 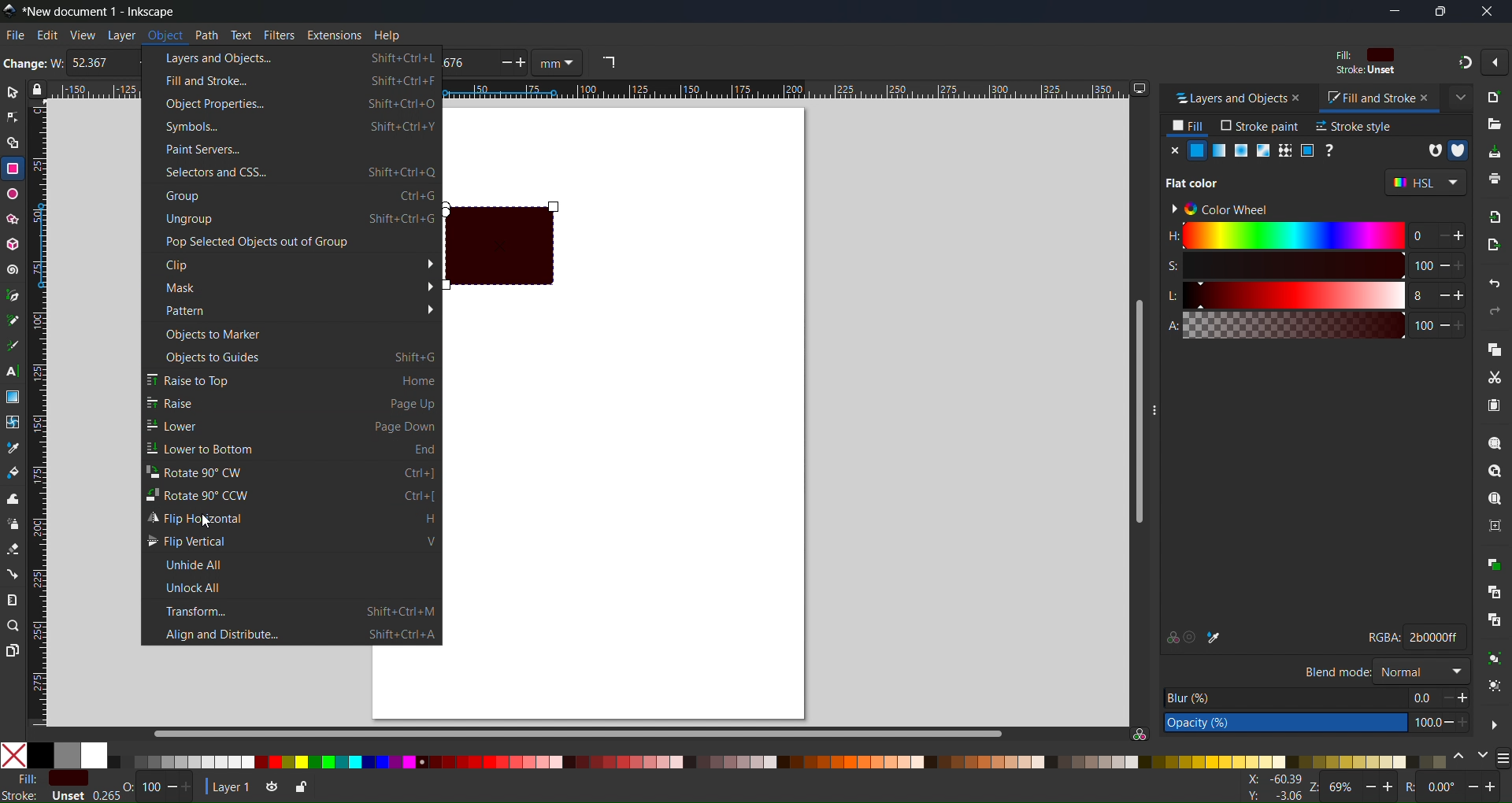 I want to click on Flat color, so click(x=68, y=778).